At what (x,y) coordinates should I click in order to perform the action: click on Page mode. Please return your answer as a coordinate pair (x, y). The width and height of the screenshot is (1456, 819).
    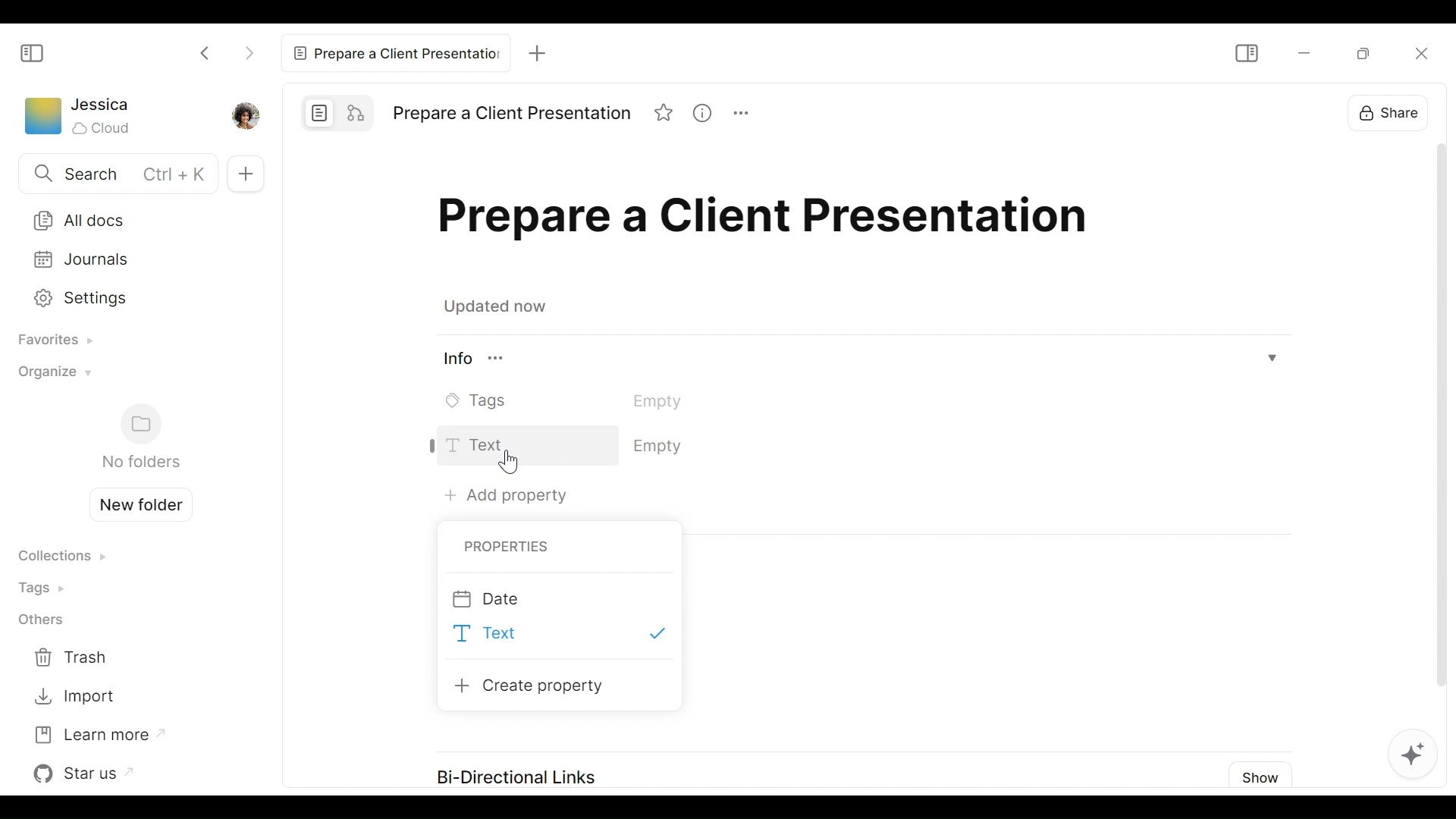
    Looking at the image, I should click on (320, 112).